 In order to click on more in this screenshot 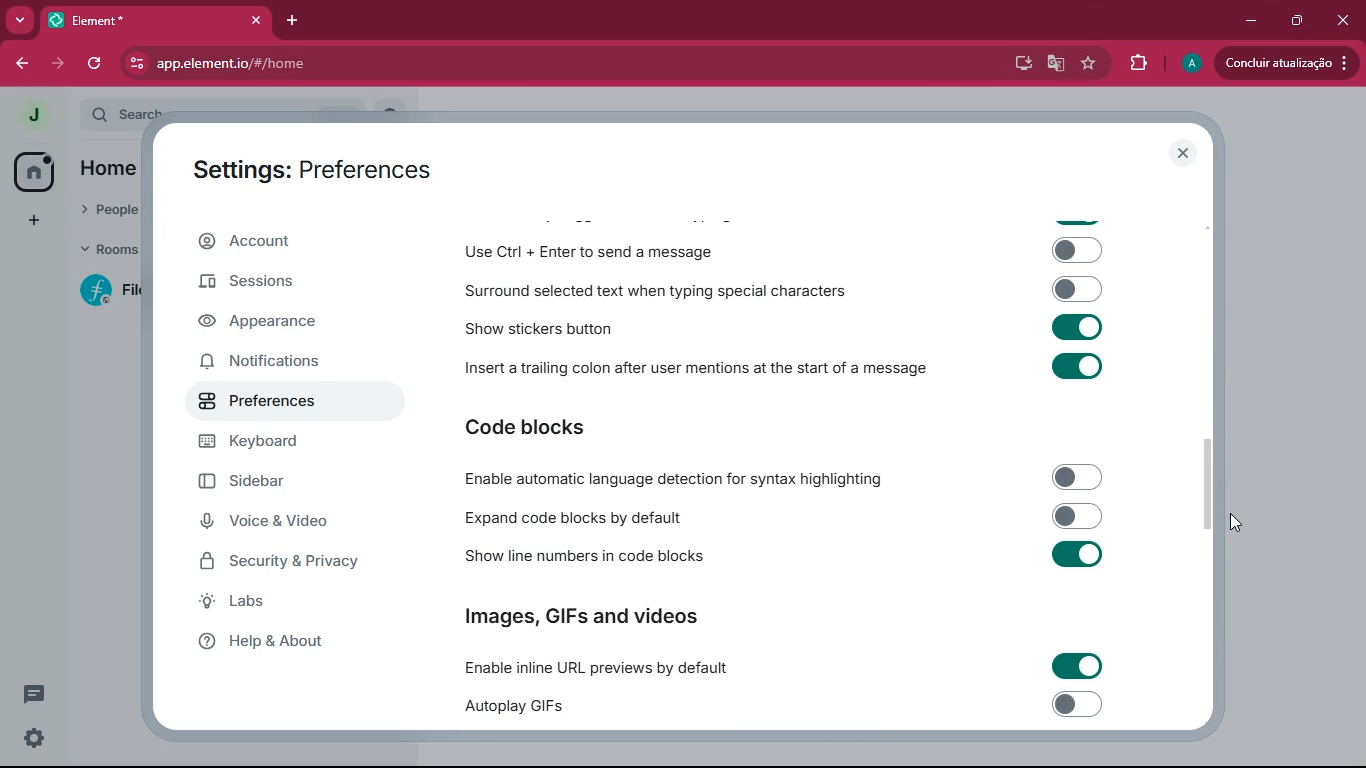, I will do `click(34, 222)`.